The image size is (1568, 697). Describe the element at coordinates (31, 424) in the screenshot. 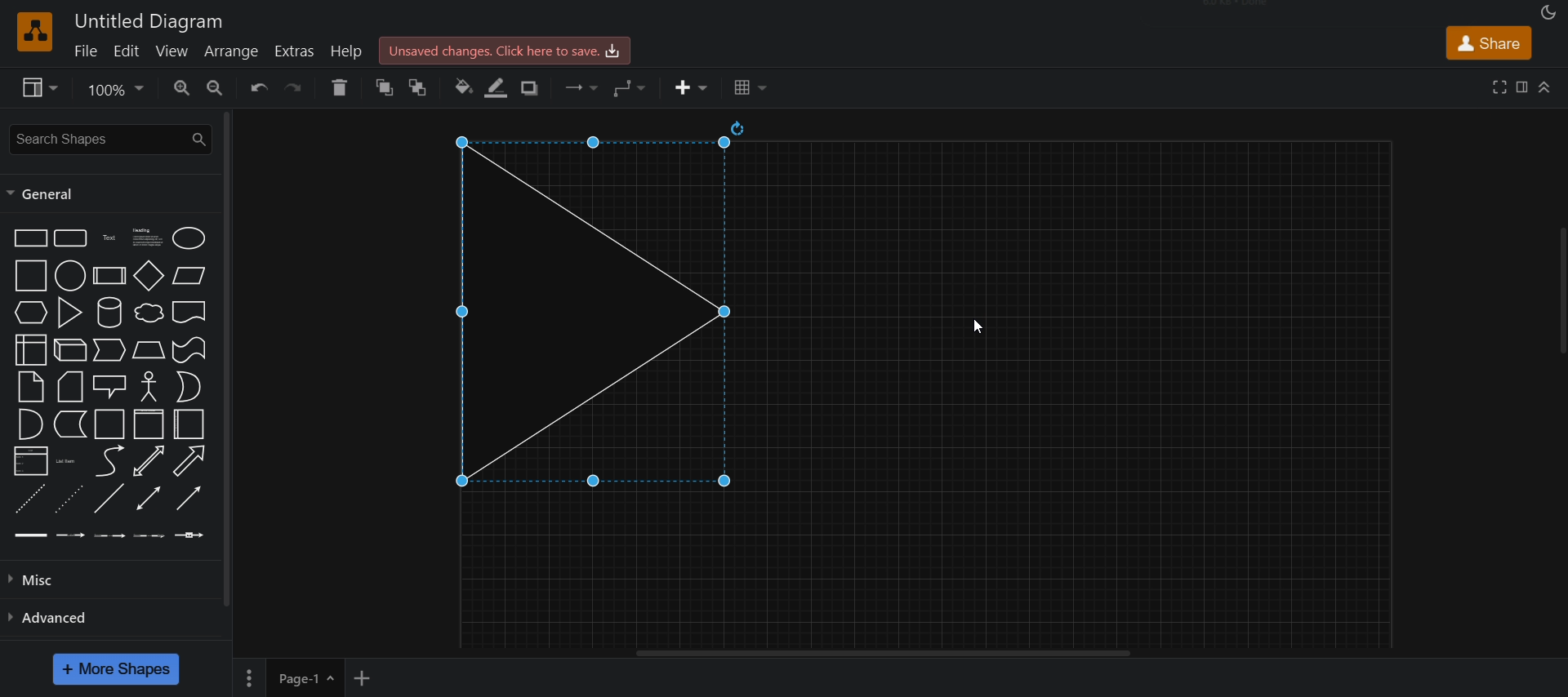

I see `and` at that location.